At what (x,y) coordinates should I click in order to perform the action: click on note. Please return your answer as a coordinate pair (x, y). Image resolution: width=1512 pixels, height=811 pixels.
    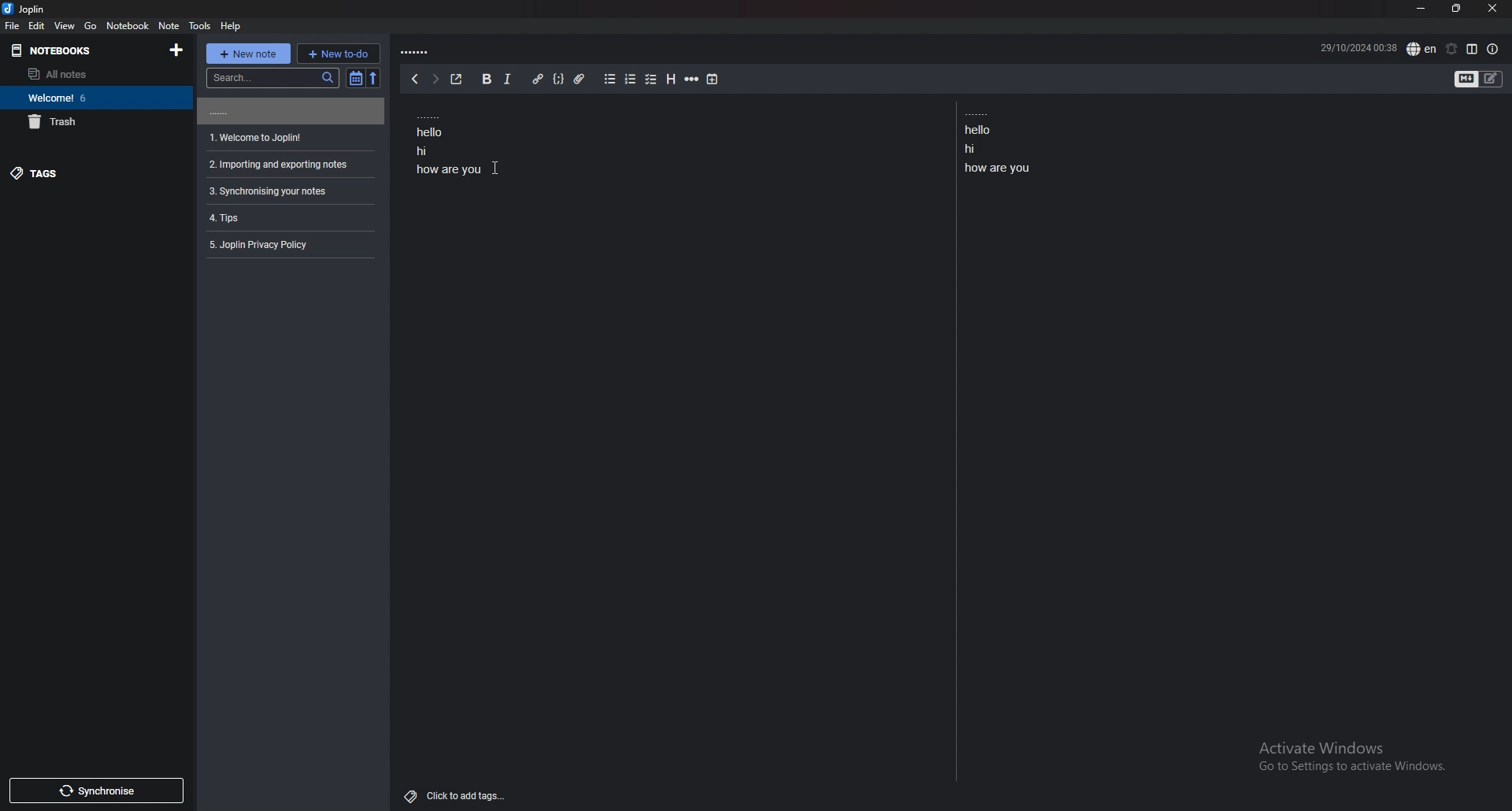
    Looking at the image, I should click on (287, 217).